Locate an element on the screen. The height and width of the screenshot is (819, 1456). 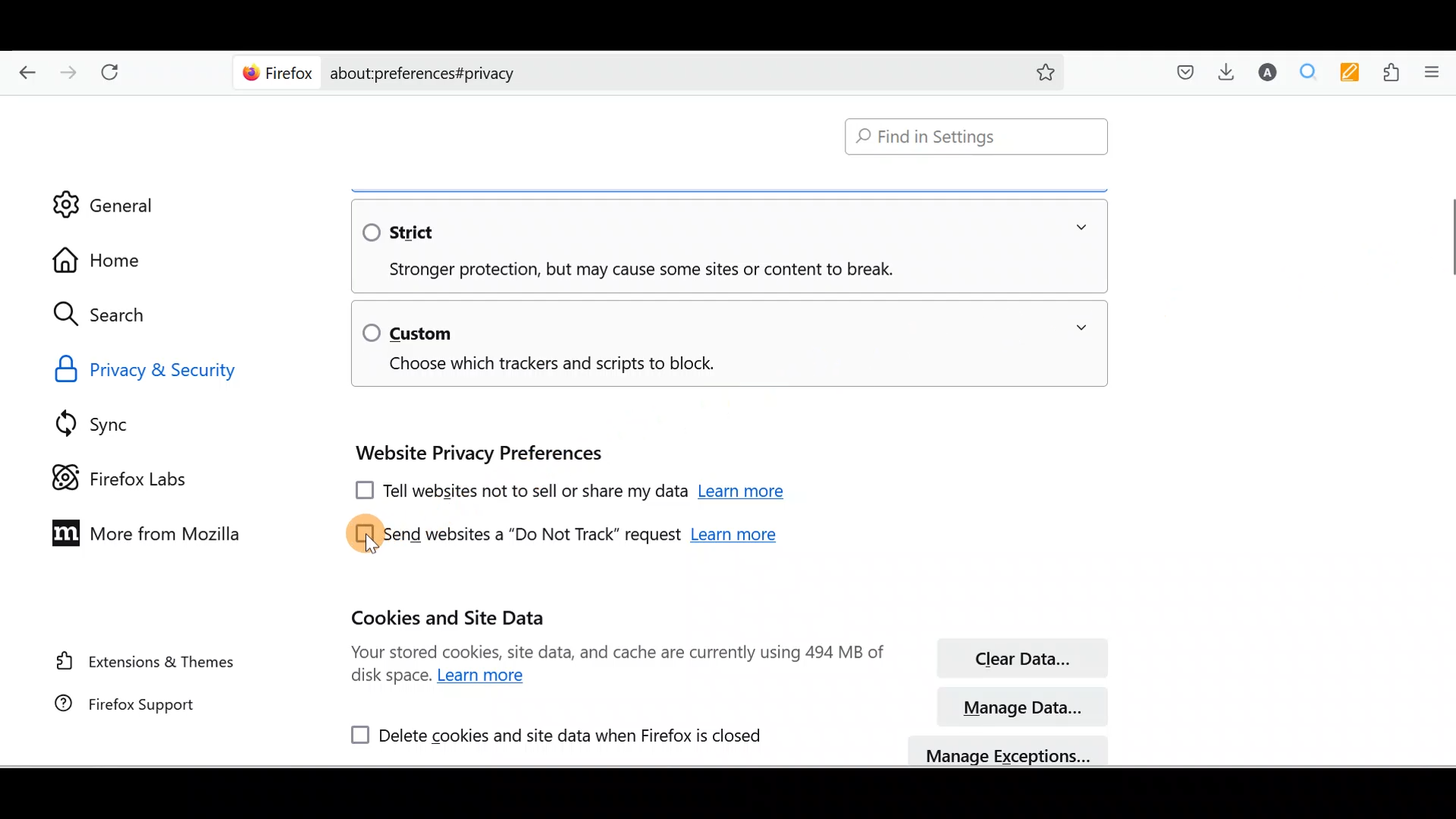
Downloads is located at coordinates (1225, 71).